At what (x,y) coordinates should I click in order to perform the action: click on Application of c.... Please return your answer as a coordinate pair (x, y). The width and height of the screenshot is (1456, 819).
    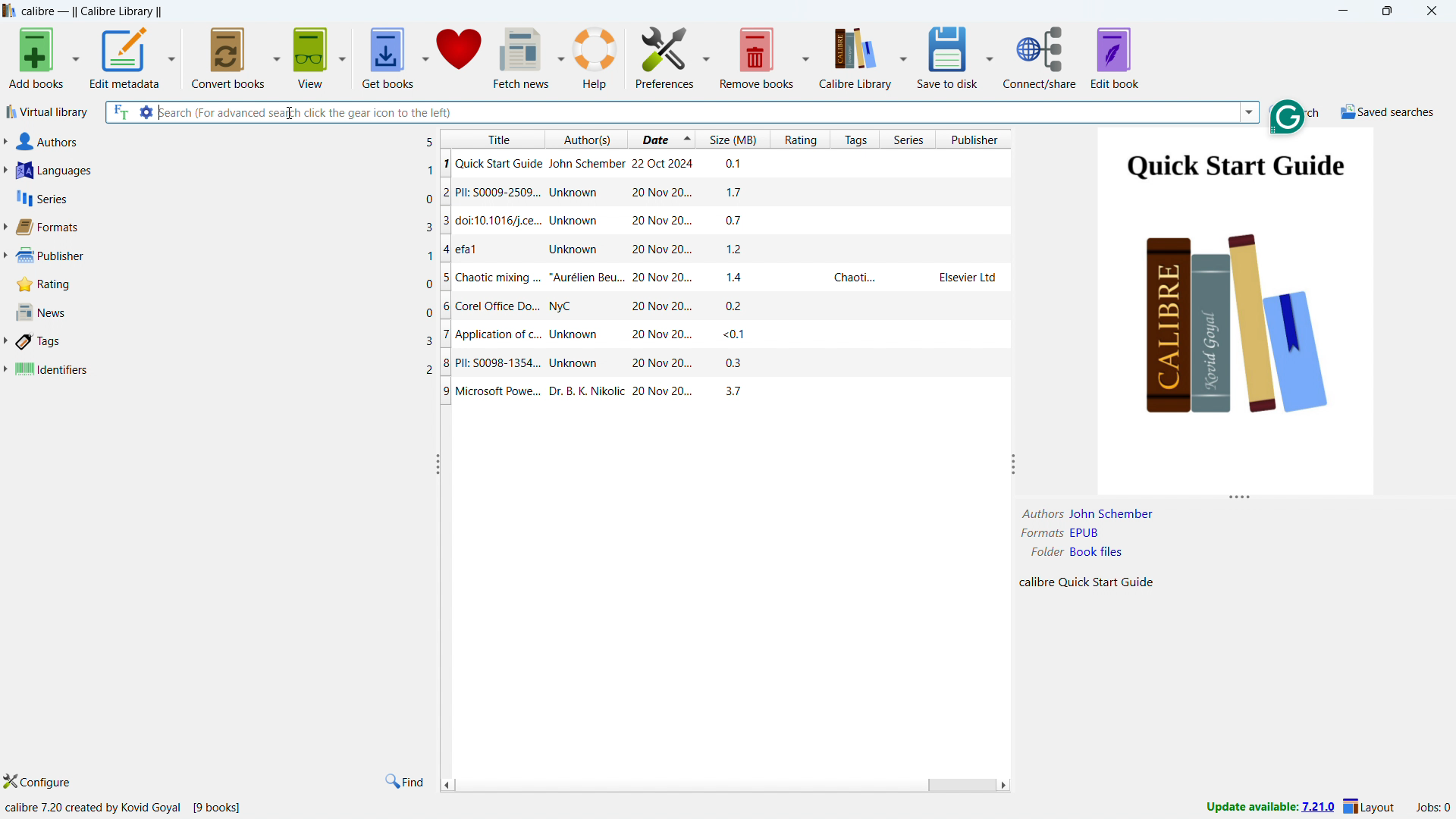
    Looking at the image, I should click on (723, 335).